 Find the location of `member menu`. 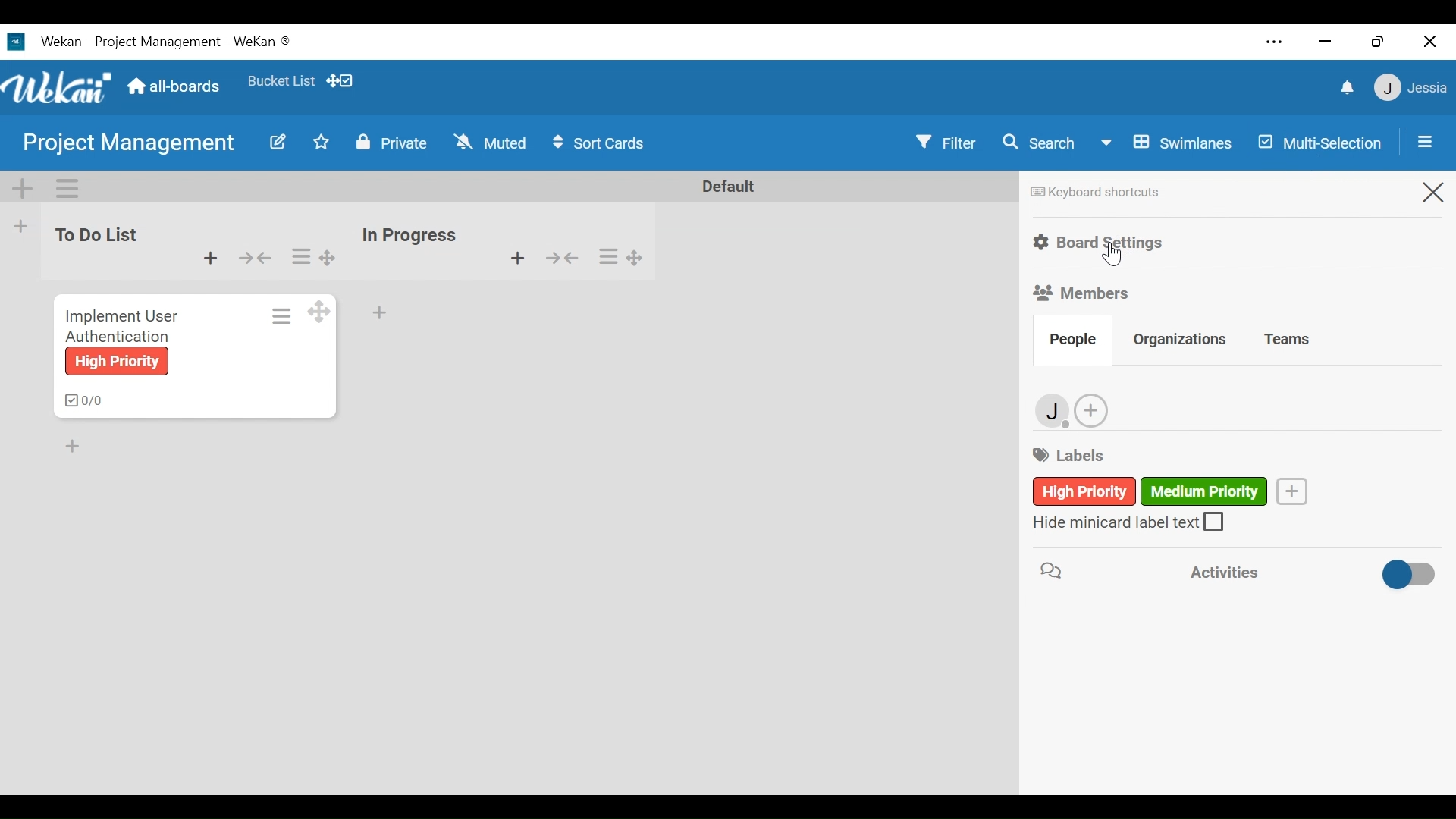

member menu is located at coordinates (1409, 86).